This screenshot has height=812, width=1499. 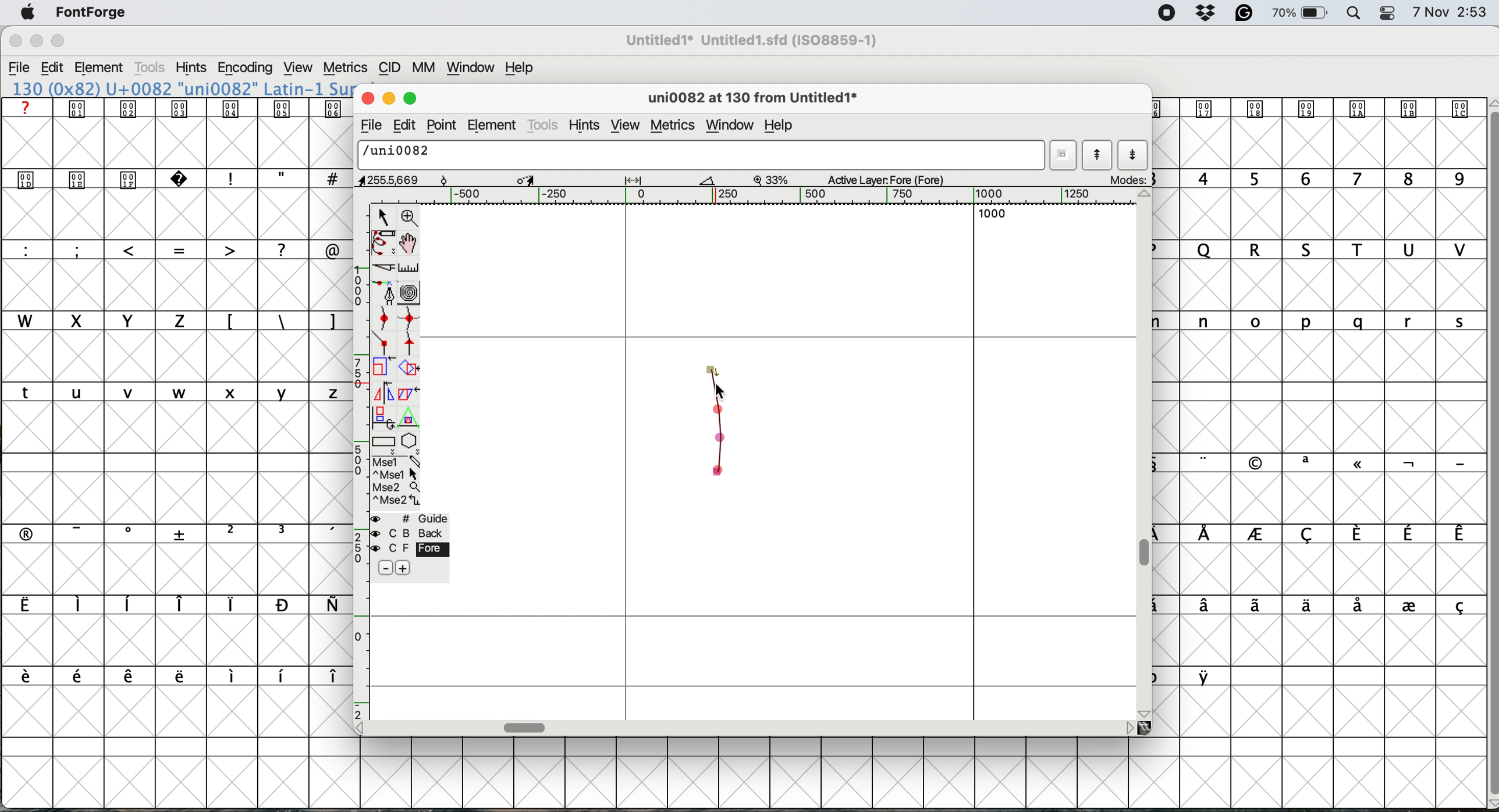 What do you see at coordinates (1148, 552) in the screenshot?
I see `vertical scroll bar` at bounding box center [1148, 552].